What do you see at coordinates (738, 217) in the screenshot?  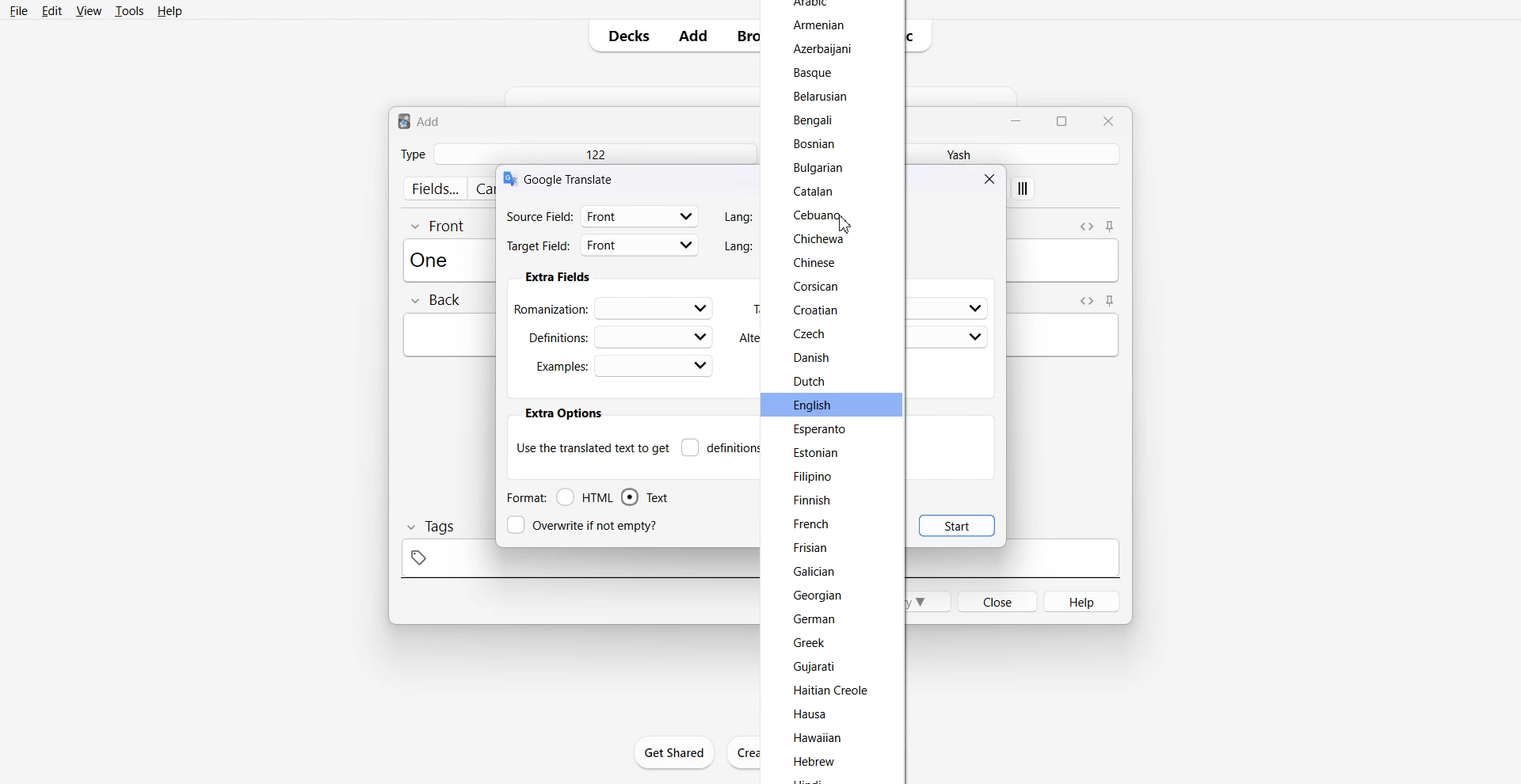 I see `Lang` at bounding box center [738, 217].